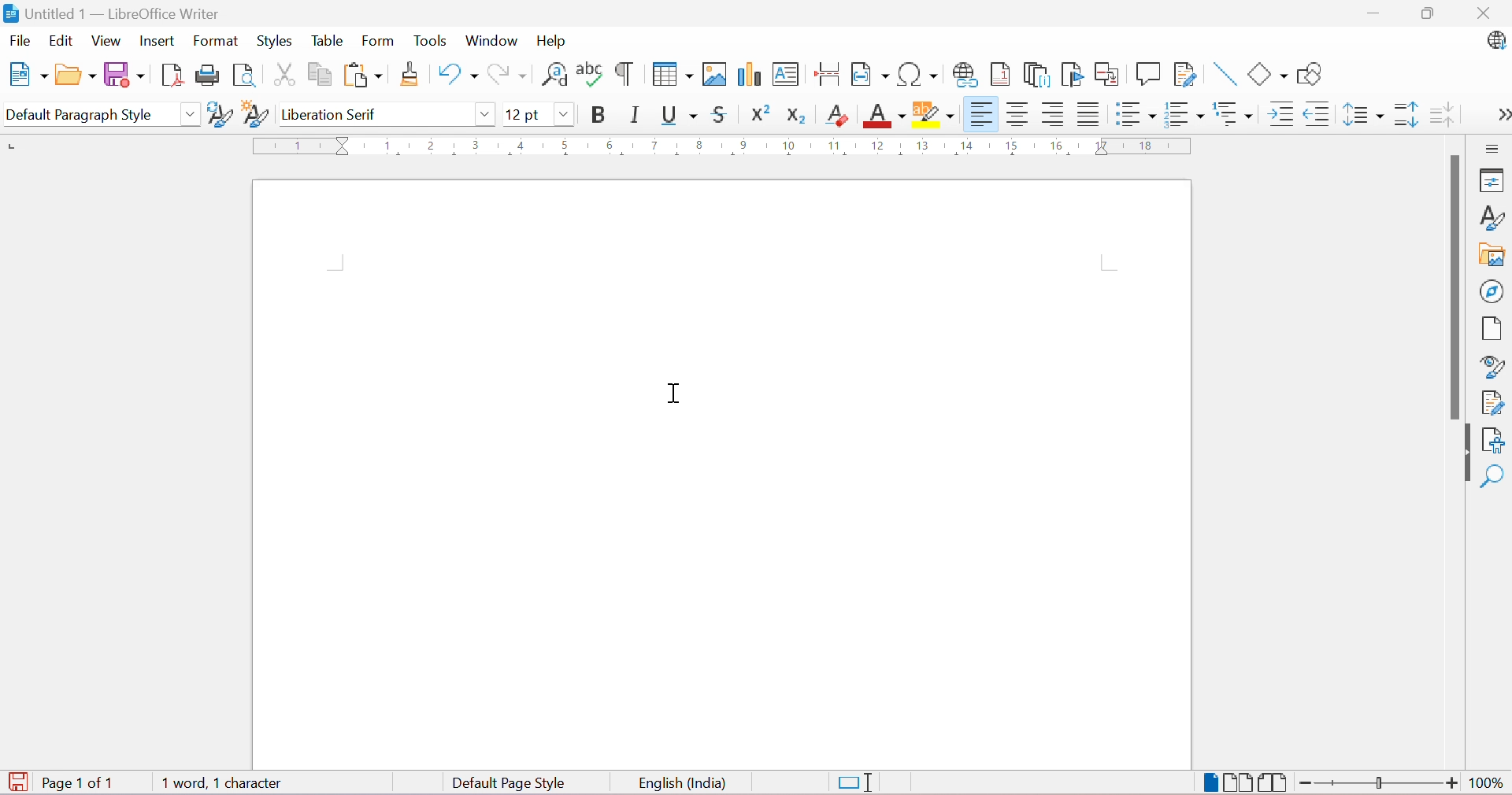 The image size is (1512, 795). Describe the element at coordinates (679, 114) in the screenshot. I see `Underline` at that location.